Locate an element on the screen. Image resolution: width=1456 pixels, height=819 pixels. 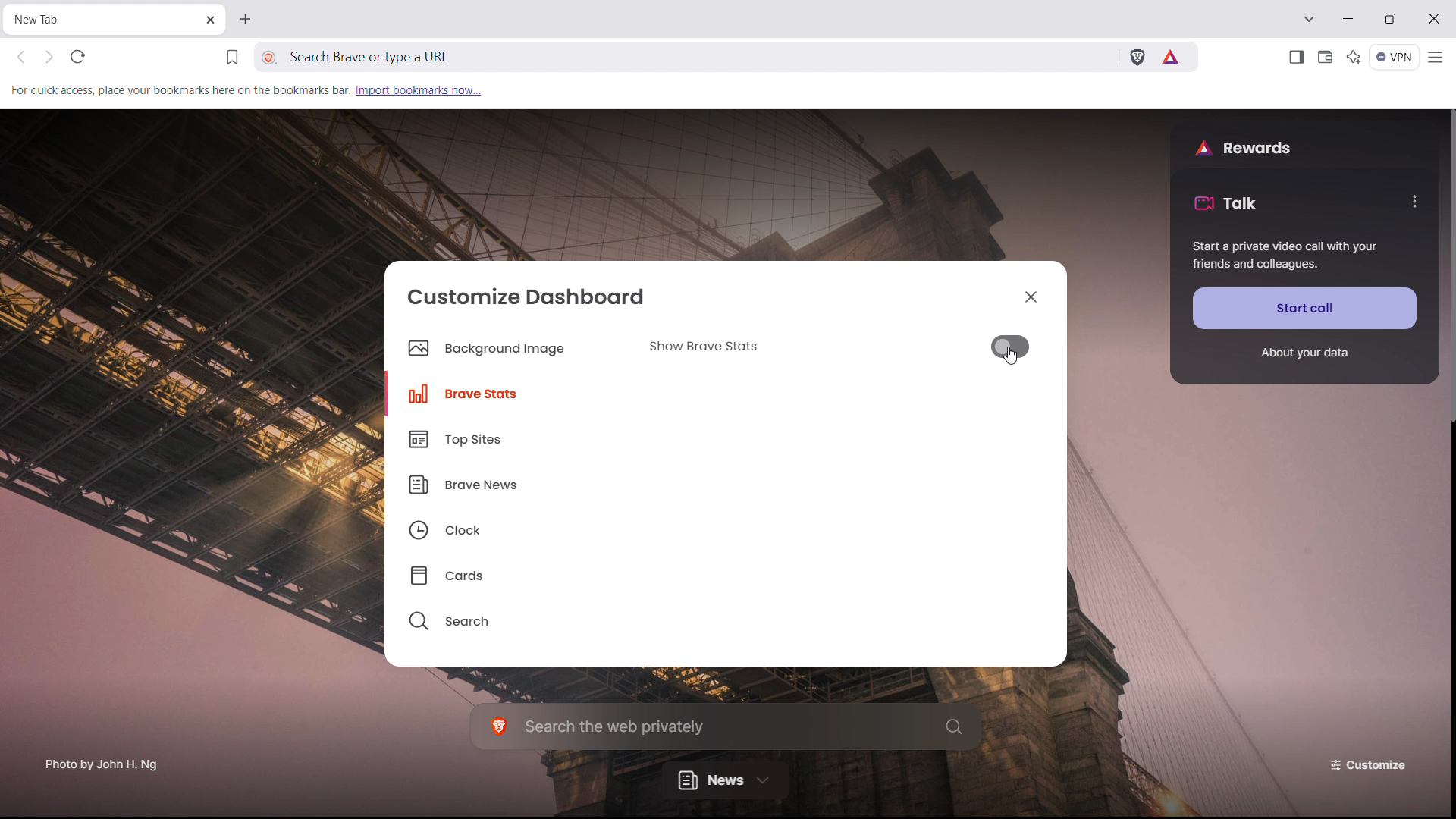
search in tabs is located at coordinates (1308, 17).